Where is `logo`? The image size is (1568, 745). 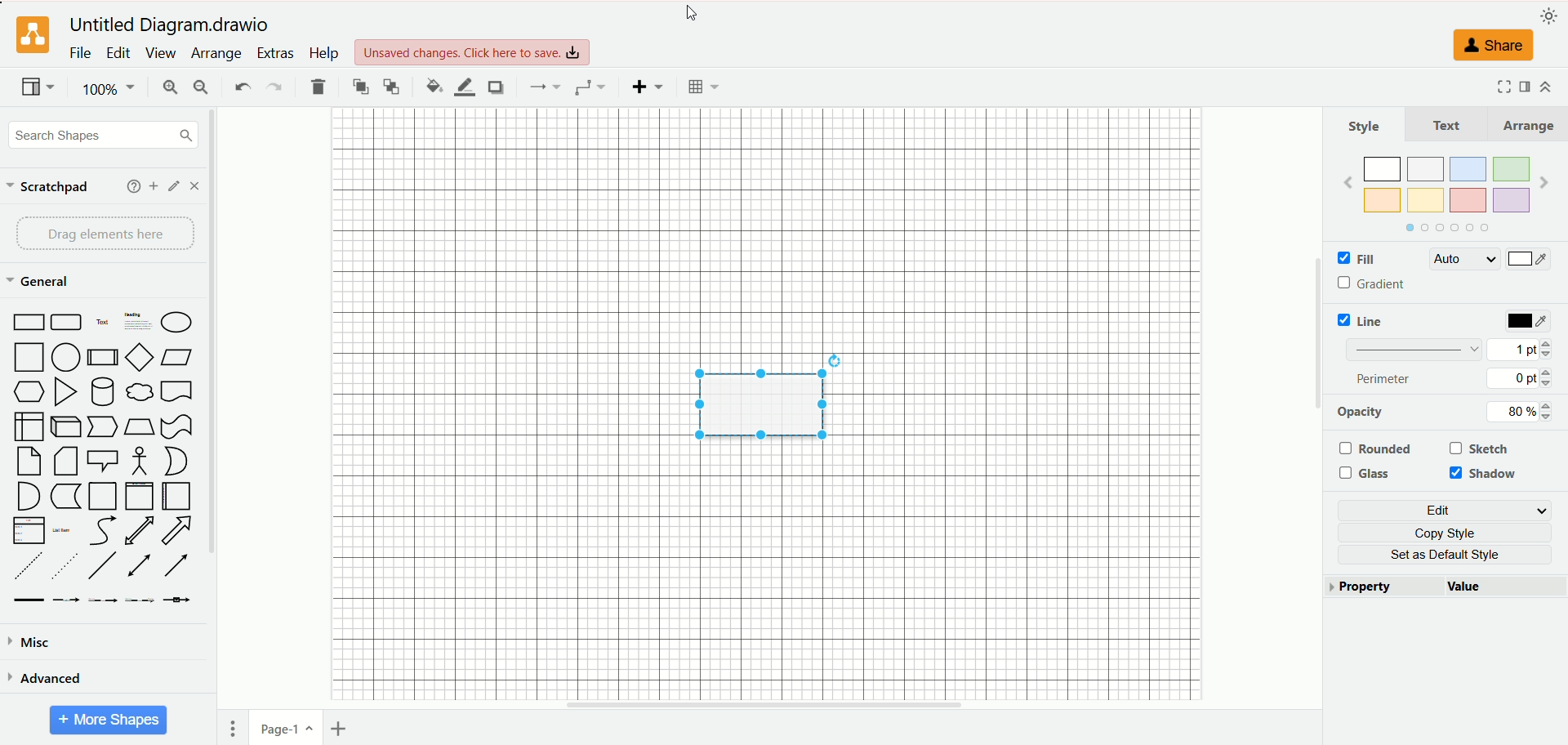
logo is located at coordinates (30, 36).